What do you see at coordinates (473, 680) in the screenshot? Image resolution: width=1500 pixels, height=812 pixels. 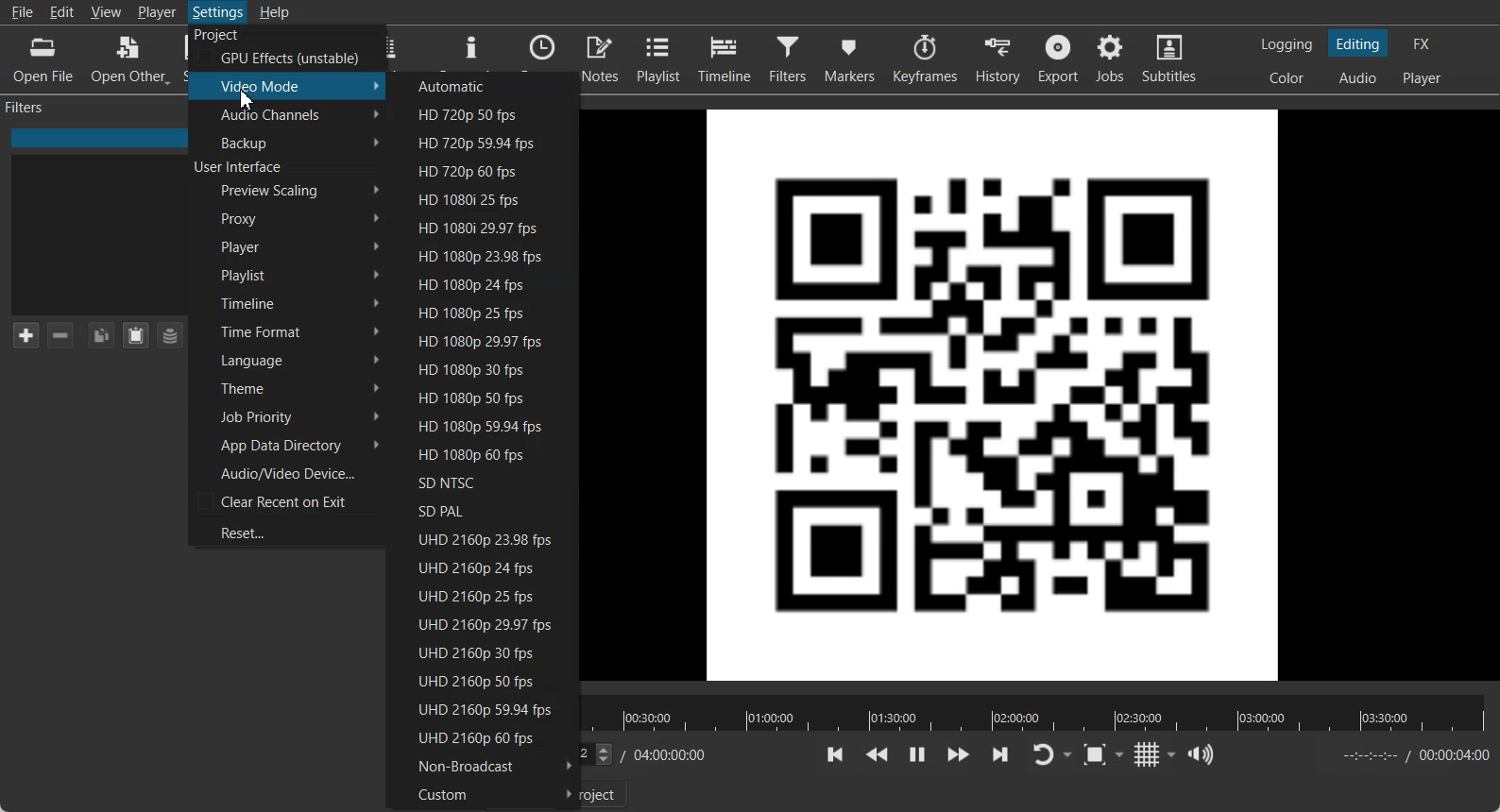 I see `UHD 2160p 50 fps` at bounding box center [473, 680].